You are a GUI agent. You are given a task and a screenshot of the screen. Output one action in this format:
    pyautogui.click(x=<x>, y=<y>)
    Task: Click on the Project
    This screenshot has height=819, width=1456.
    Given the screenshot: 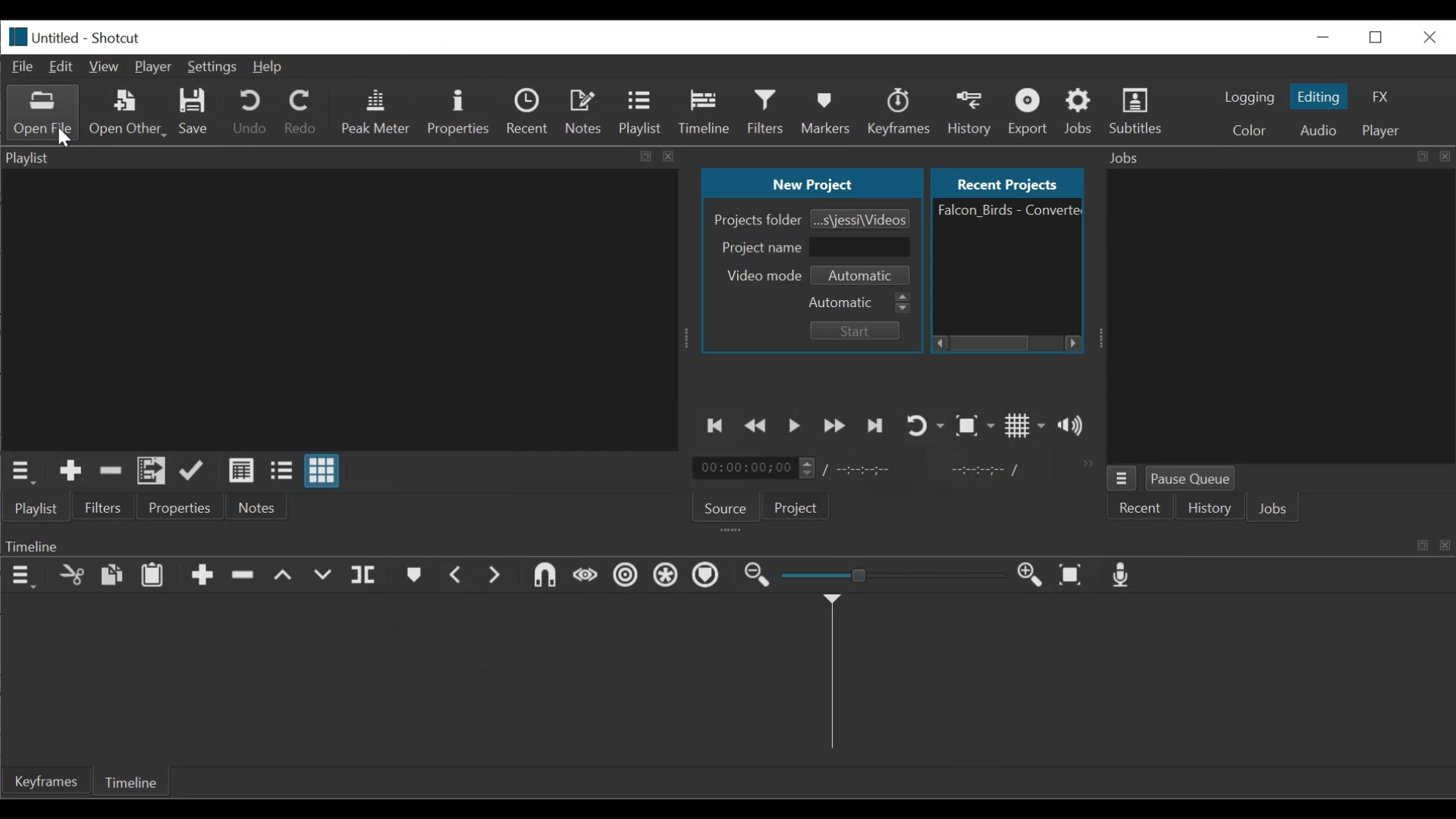 What is the action you would take?
    pyautogui.click(x=799, y=508)
    